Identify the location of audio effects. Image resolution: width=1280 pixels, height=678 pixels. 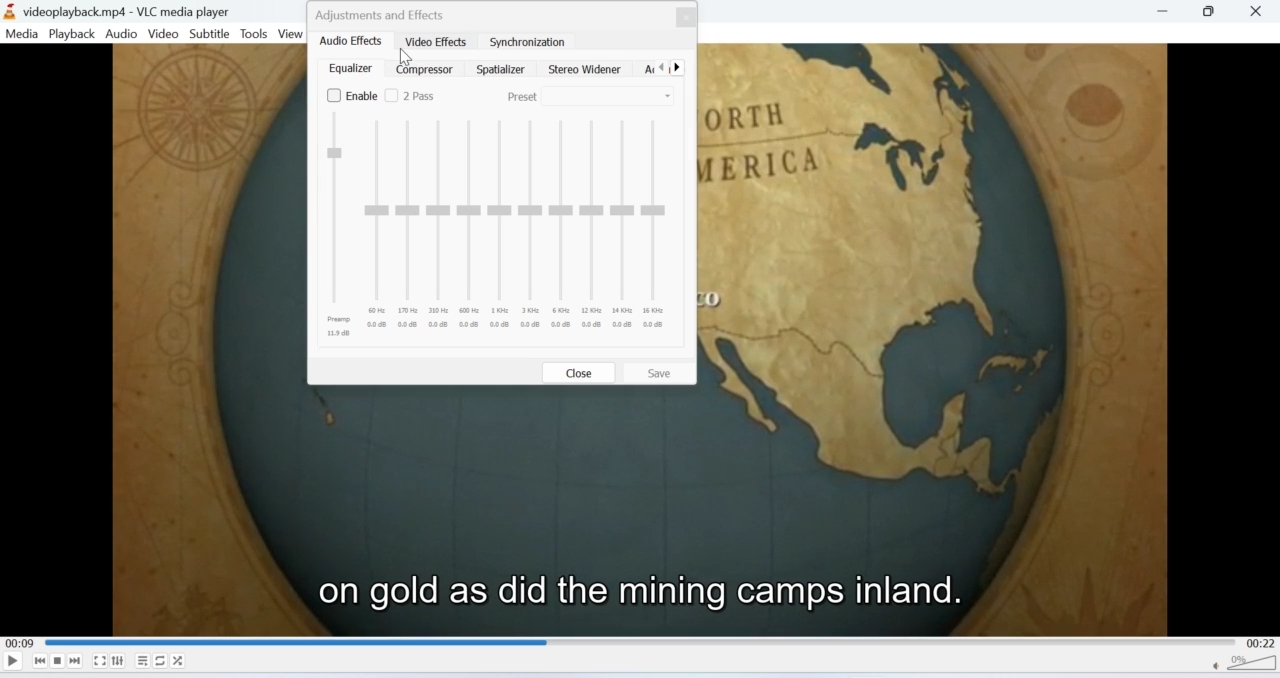
(355, 42).